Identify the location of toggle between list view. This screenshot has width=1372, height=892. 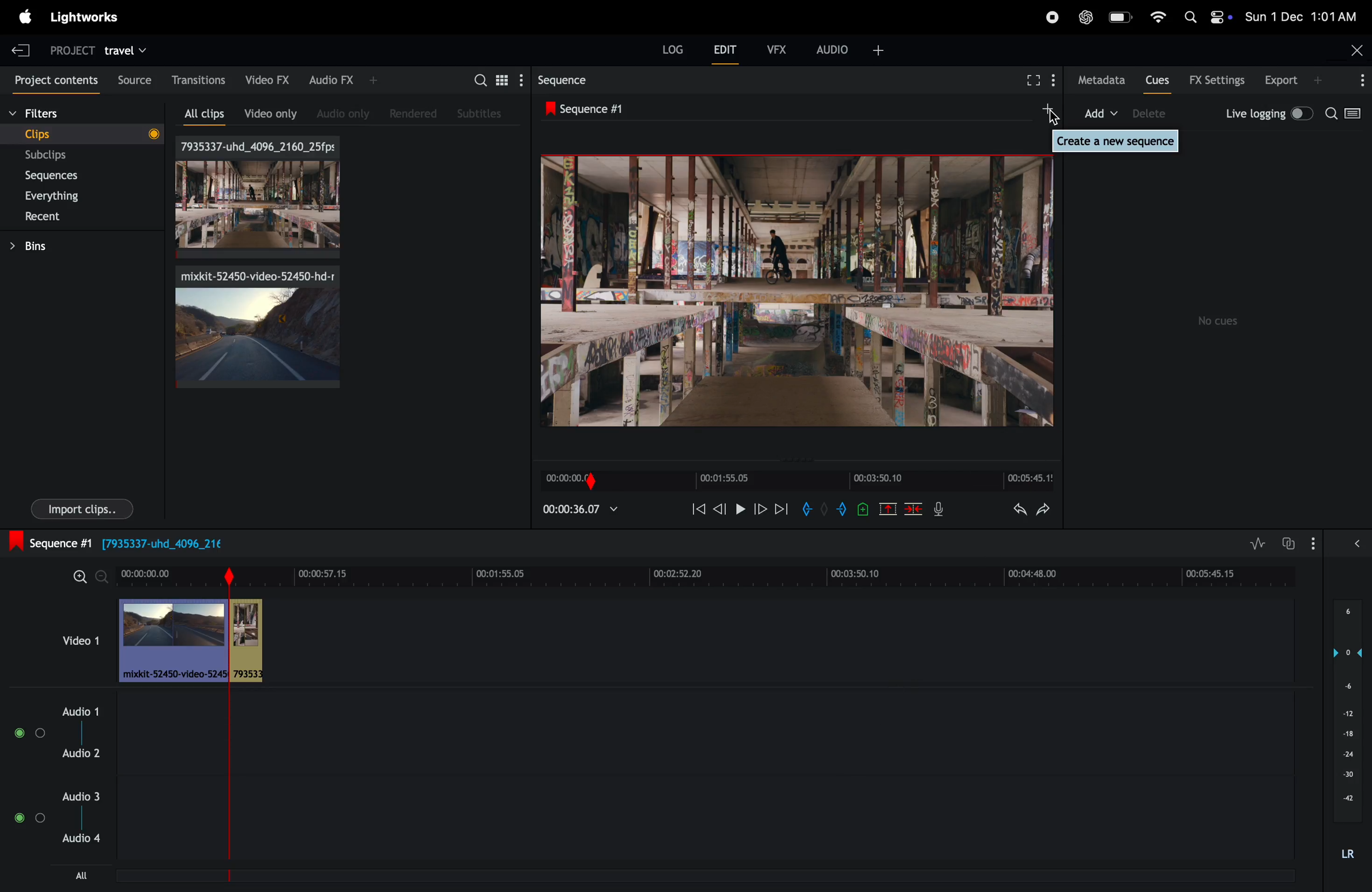
(500, 80).